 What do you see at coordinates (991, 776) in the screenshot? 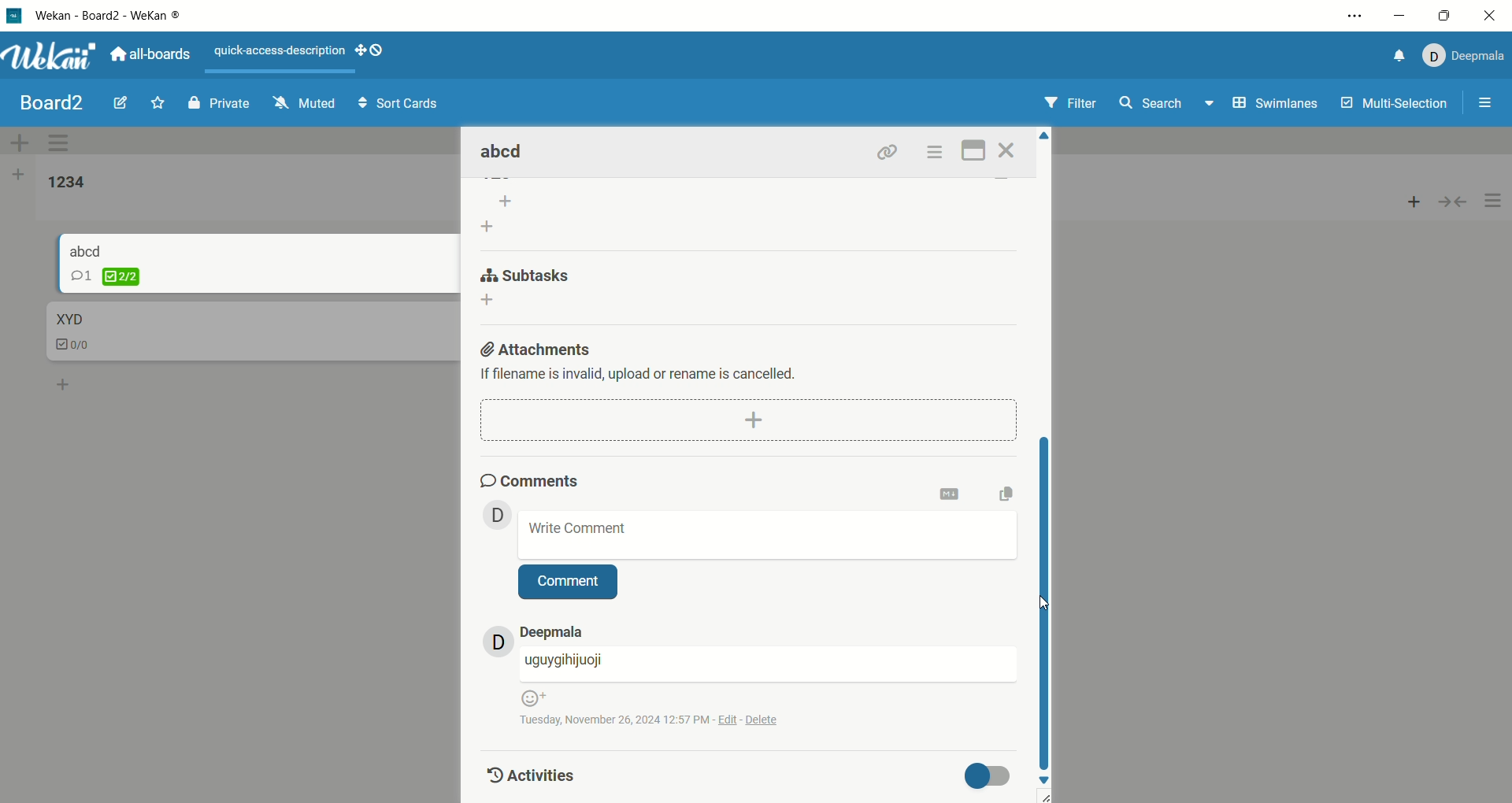
I see `toggle button` at bounding box center [991, 776].